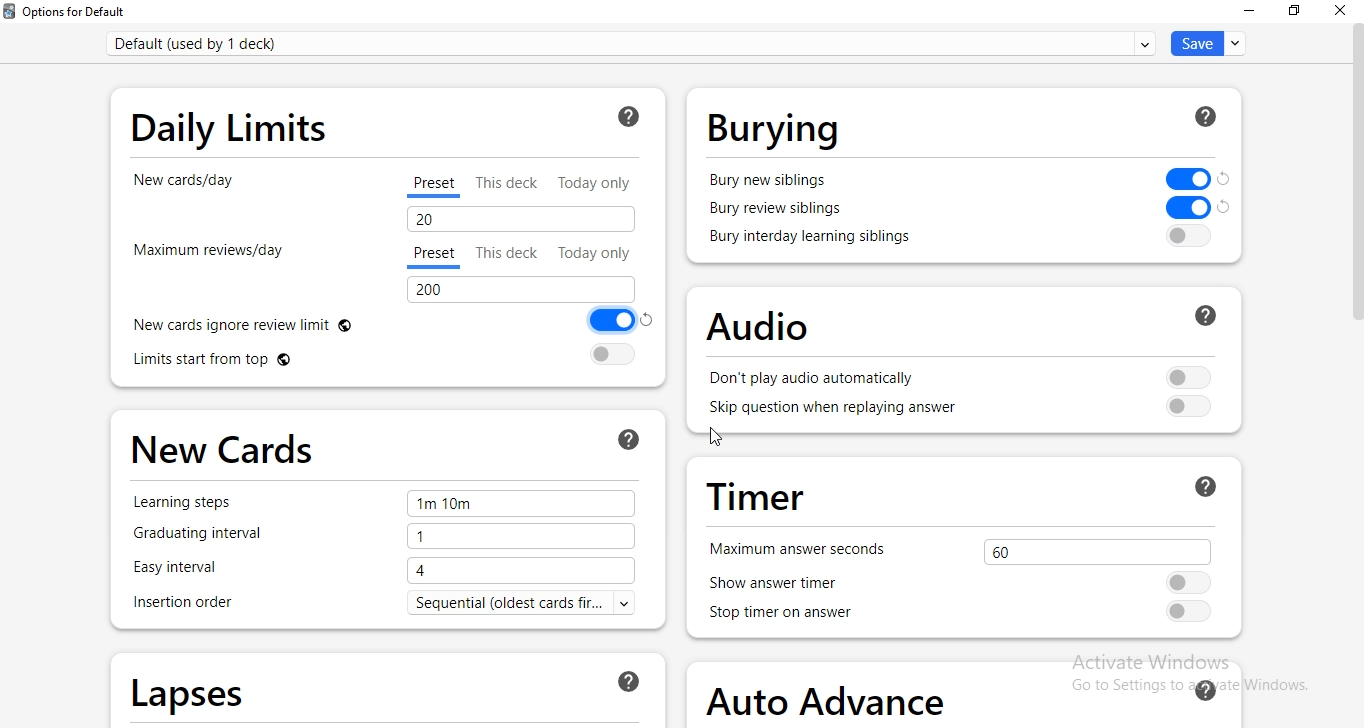 This screenshot has width=1364, height=728. What do you see at coordinates (635, 42) in the screenshot?
I see `default (used bu 1 deck)` at bounding box center [635, 42].